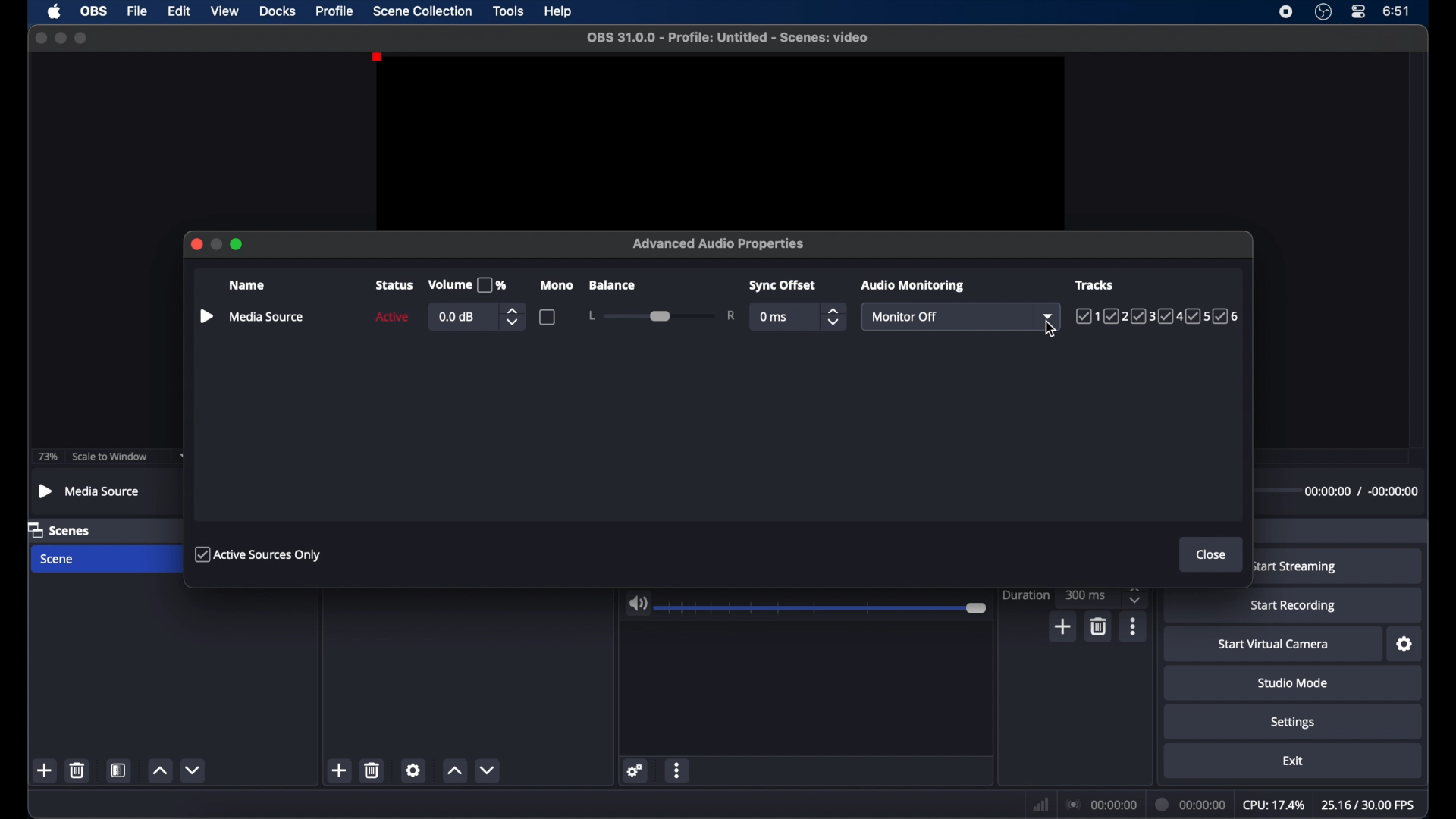 The image size is (1456, 819). Describe the element at coordinates (1063, 626) in the screenshot. I see `add` at that location.